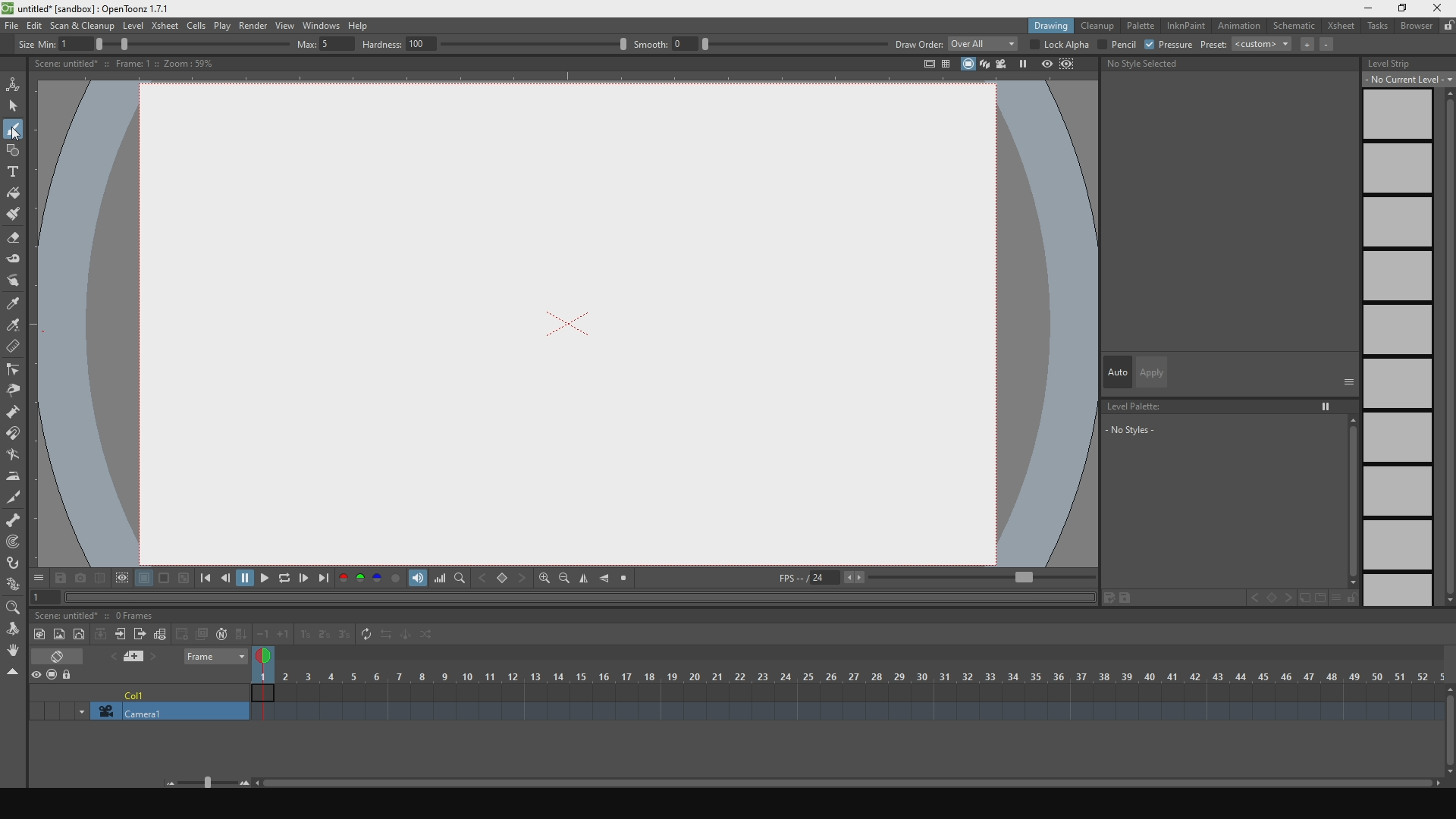 Image resolution: width=1456 pixels, height=819 pixels. I want to click on cut, so click(14, 497).